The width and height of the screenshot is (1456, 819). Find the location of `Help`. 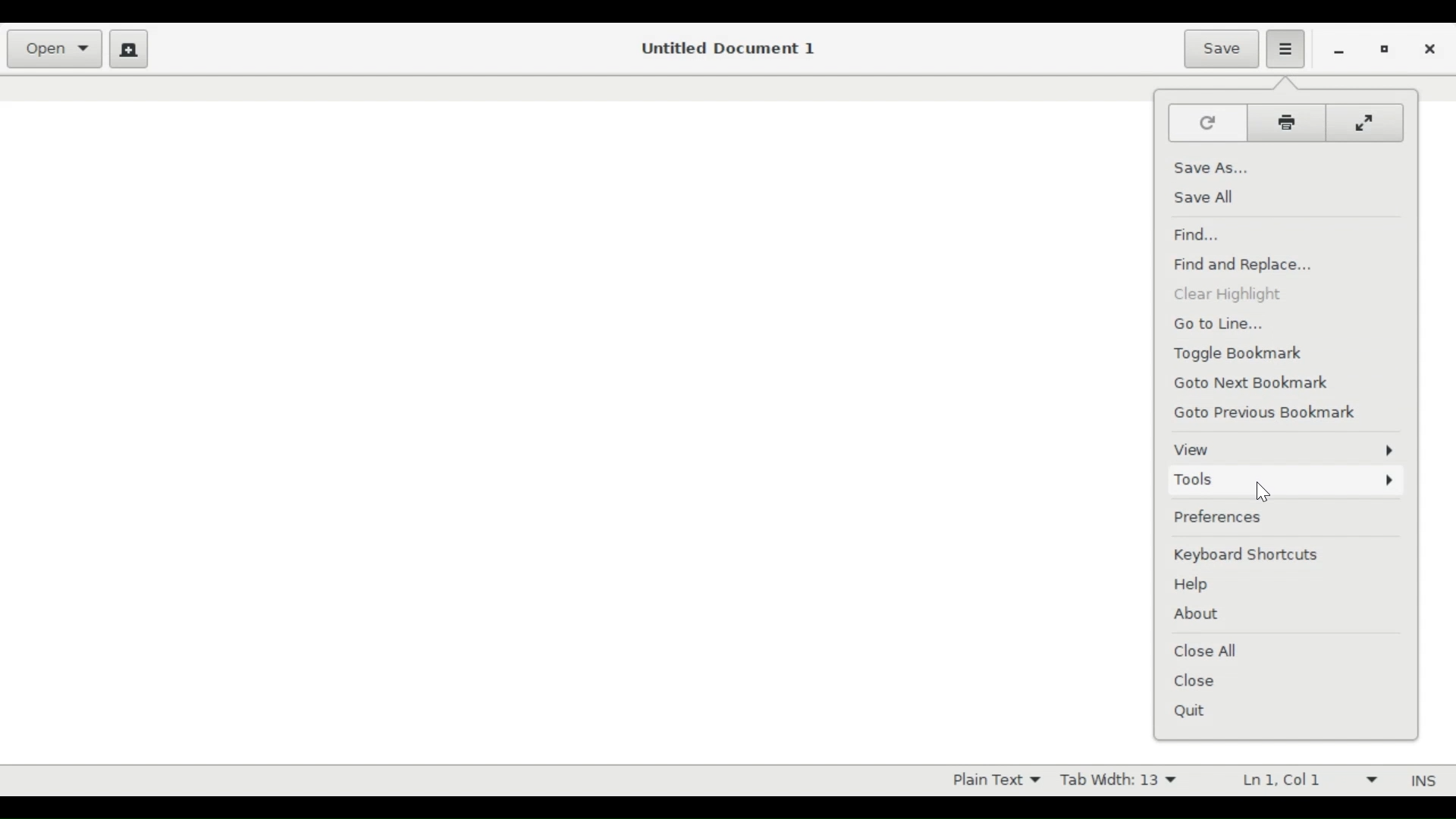

Help is located at coordinates (1195, 585).